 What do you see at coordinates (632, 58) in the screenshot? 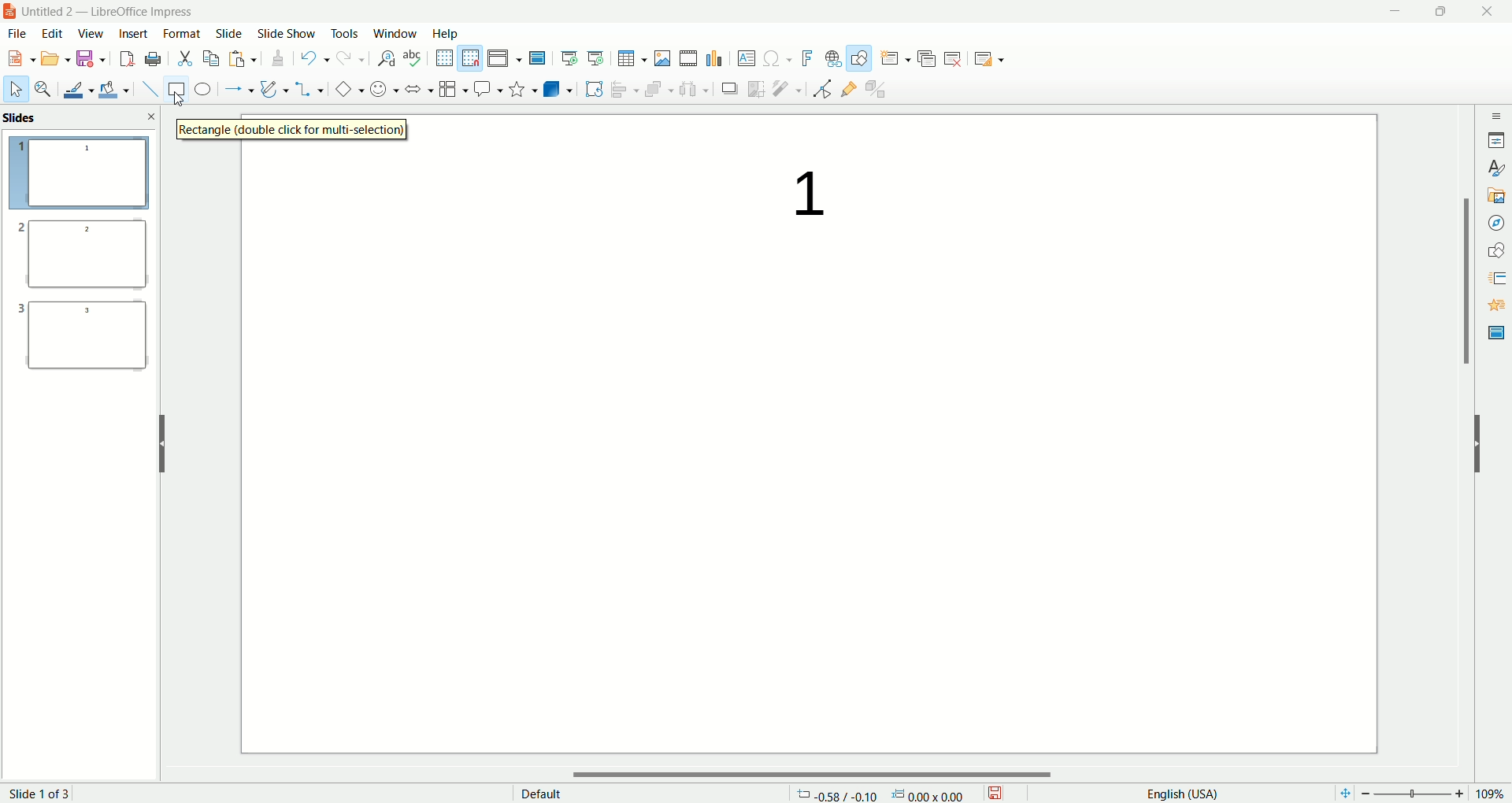
I see `insert table` at bounding box center [632, 58].